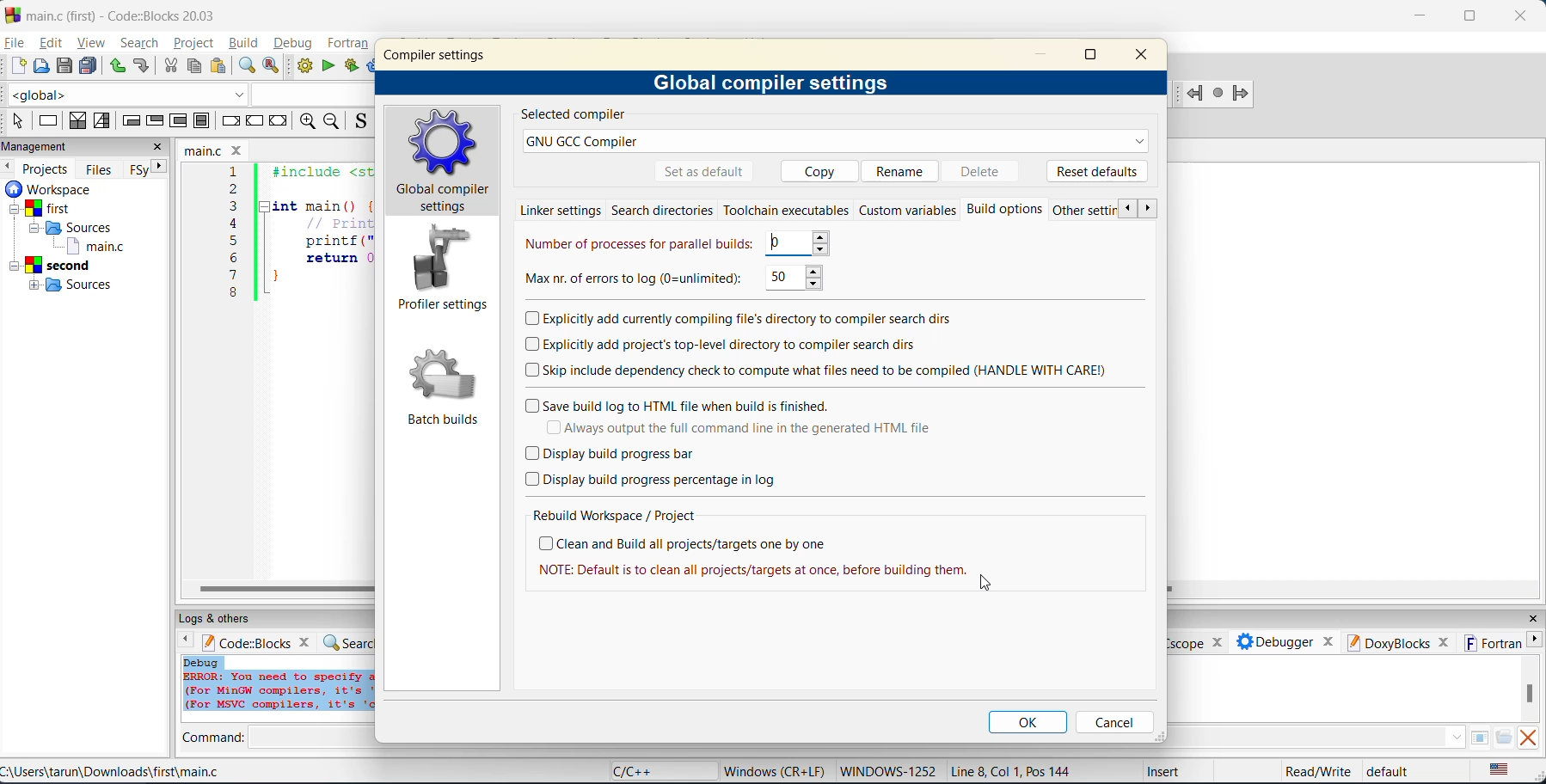 The height and width of the screenshot is (784, 1546). I want to click on cancel, so click(1113, 722).